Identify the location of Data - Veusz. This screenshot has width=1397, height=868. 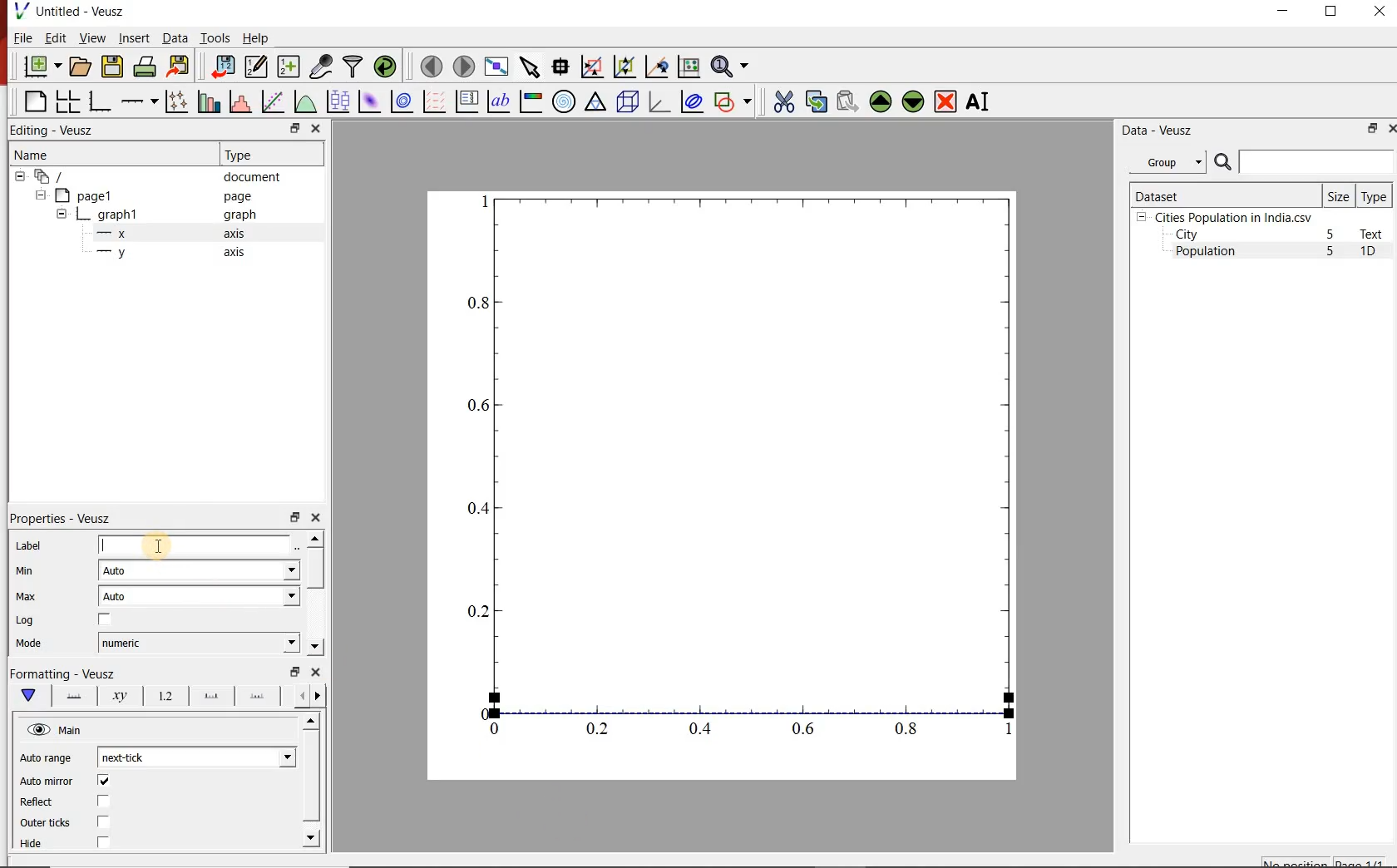
(1154, 130).